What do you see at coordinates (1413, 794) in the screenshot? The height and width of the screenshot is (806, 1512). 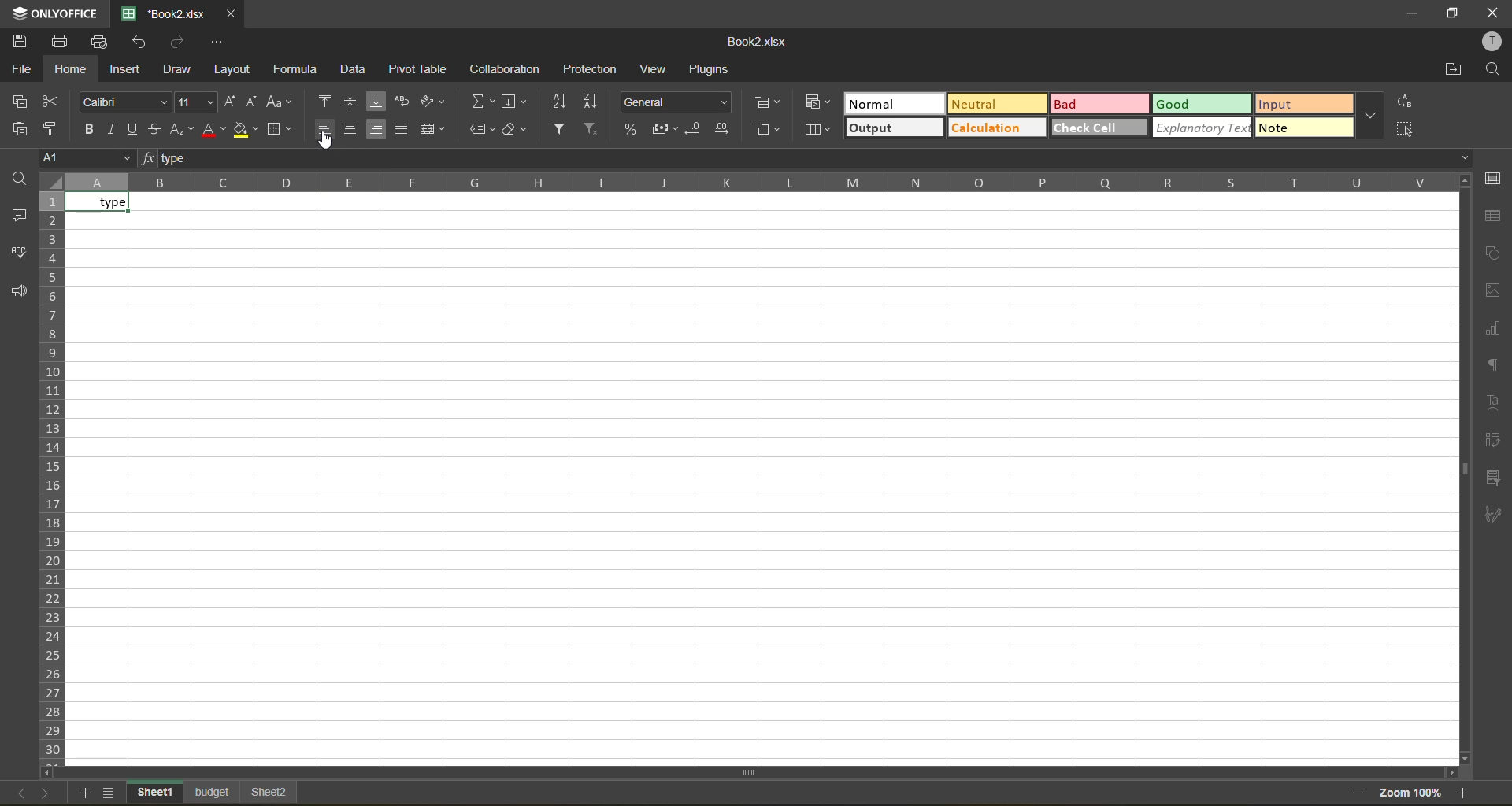 I see `zoom factor` at bounding box center [1413, 794].